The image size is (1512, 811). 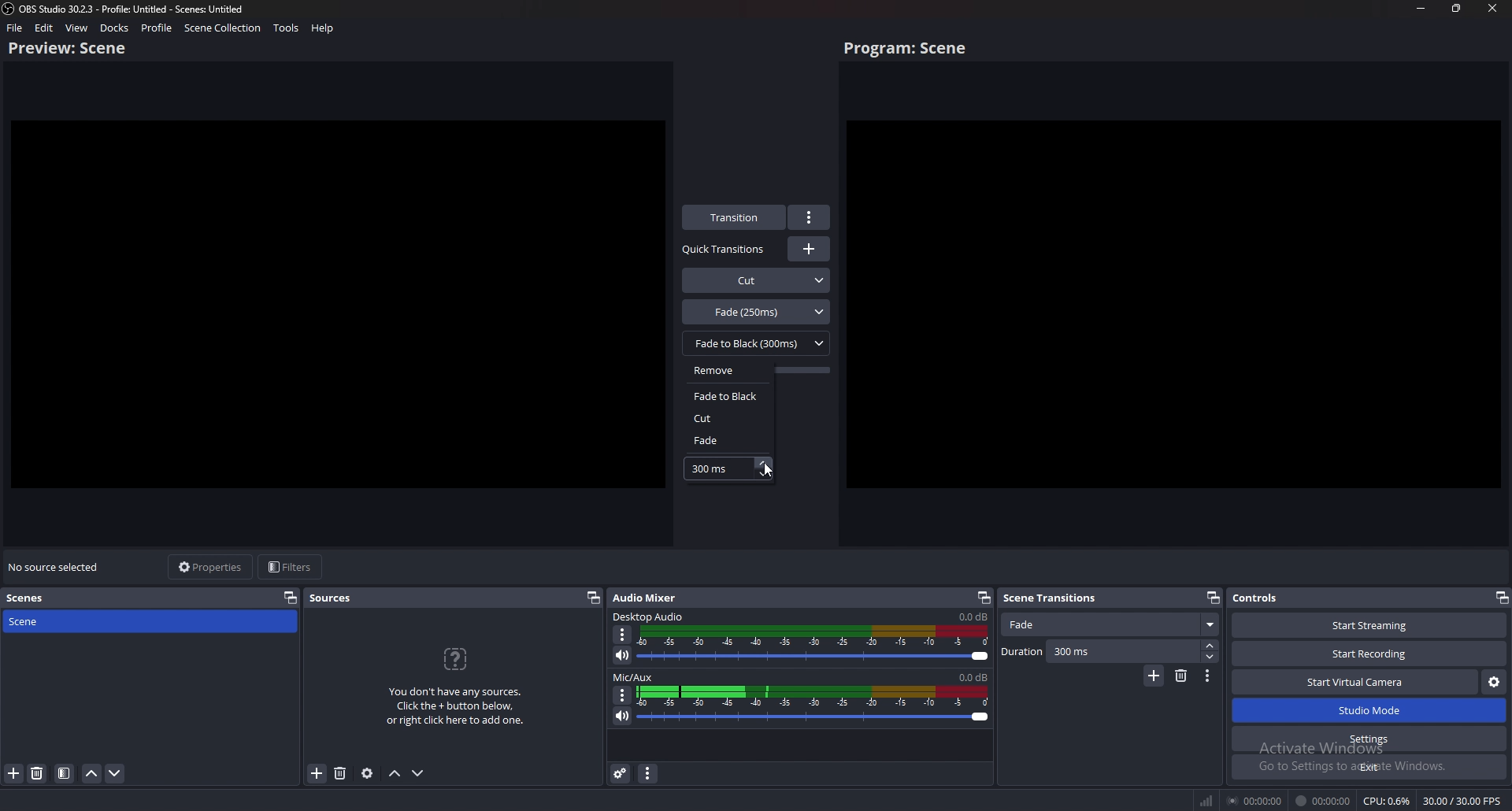 What do you see at coordinates (16, 28) in the screenshot?
I see `file` at bounding box center [16, 28].